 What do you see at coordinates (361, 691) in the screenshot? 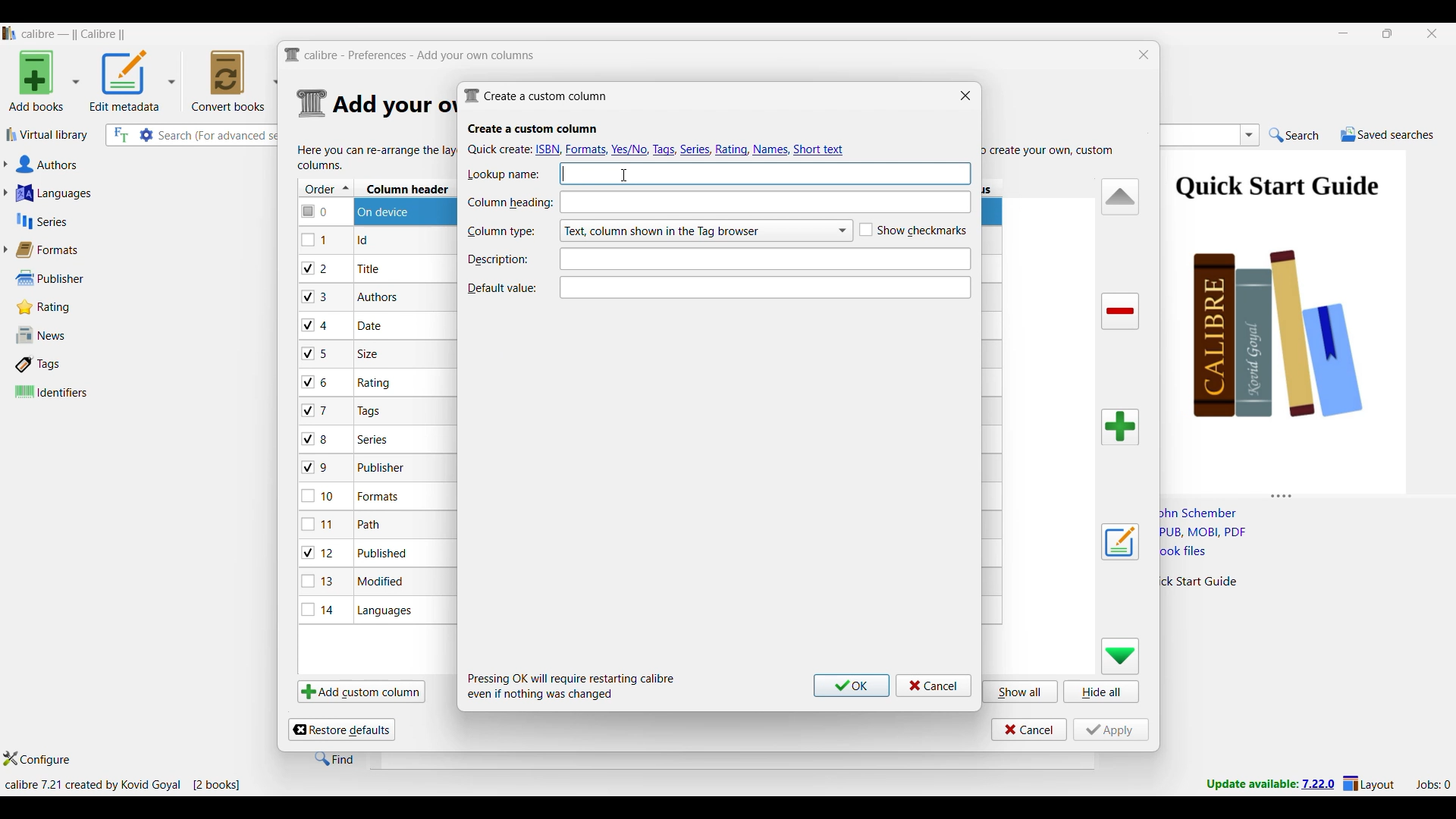
I see `Add custom column` at bounding box center [361, 691].